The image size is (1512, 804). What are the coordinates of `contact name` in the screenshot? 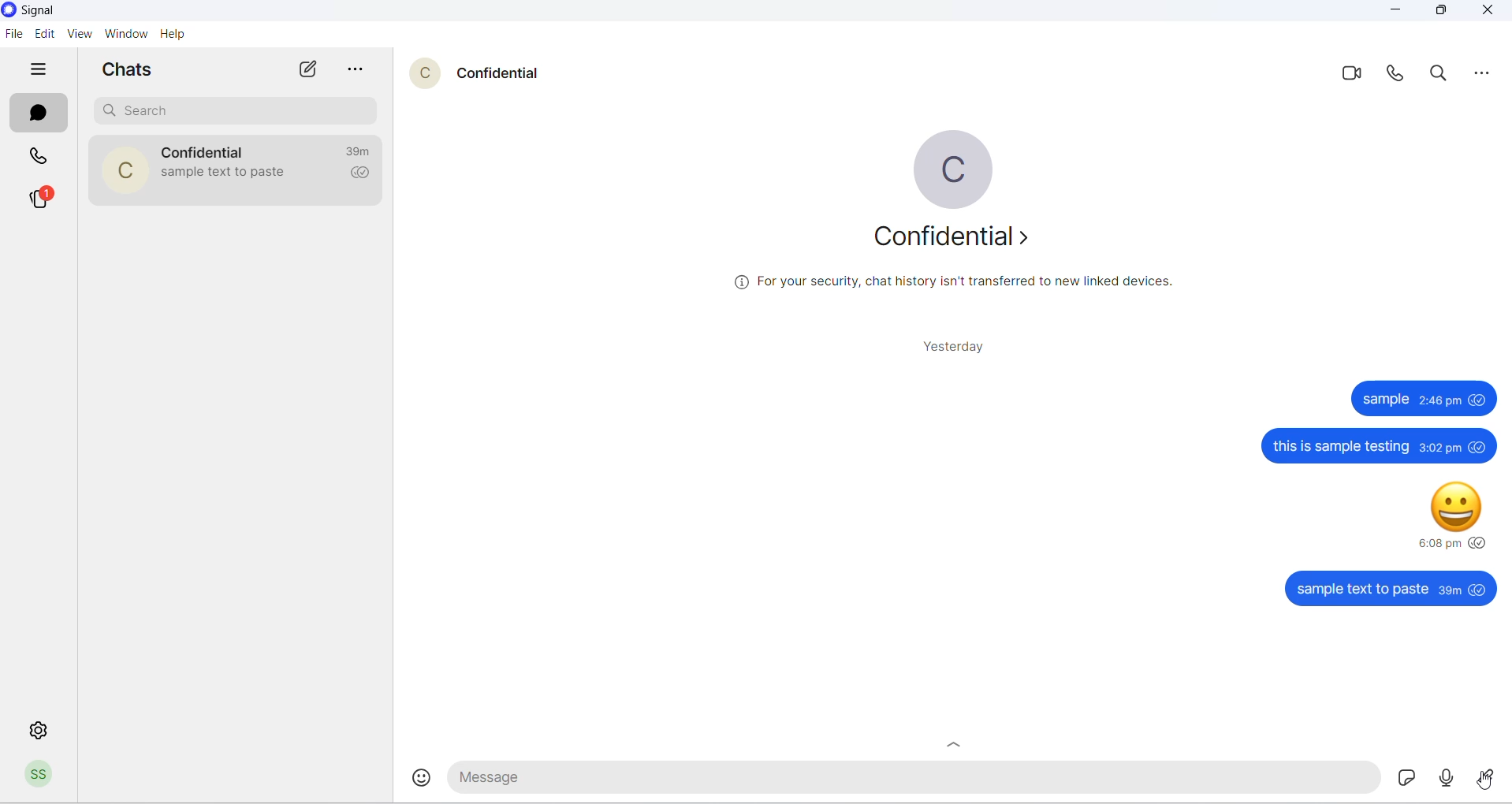 It's located at (505, 71).